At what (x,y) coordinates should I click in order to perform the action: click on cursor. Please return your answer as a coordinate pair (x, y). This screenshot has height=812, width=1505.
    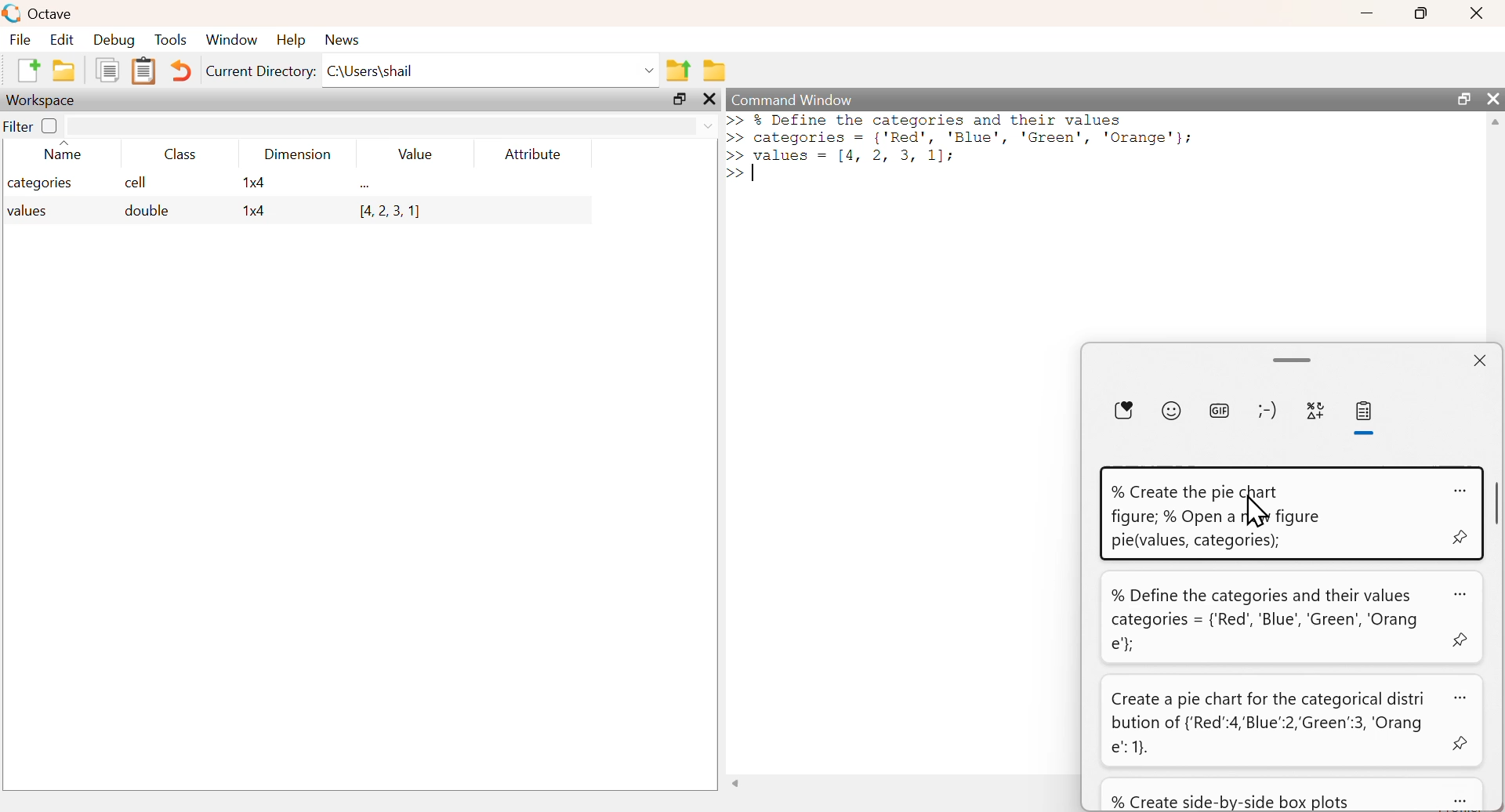
    Looking at the image, I should click on (1256, 512).